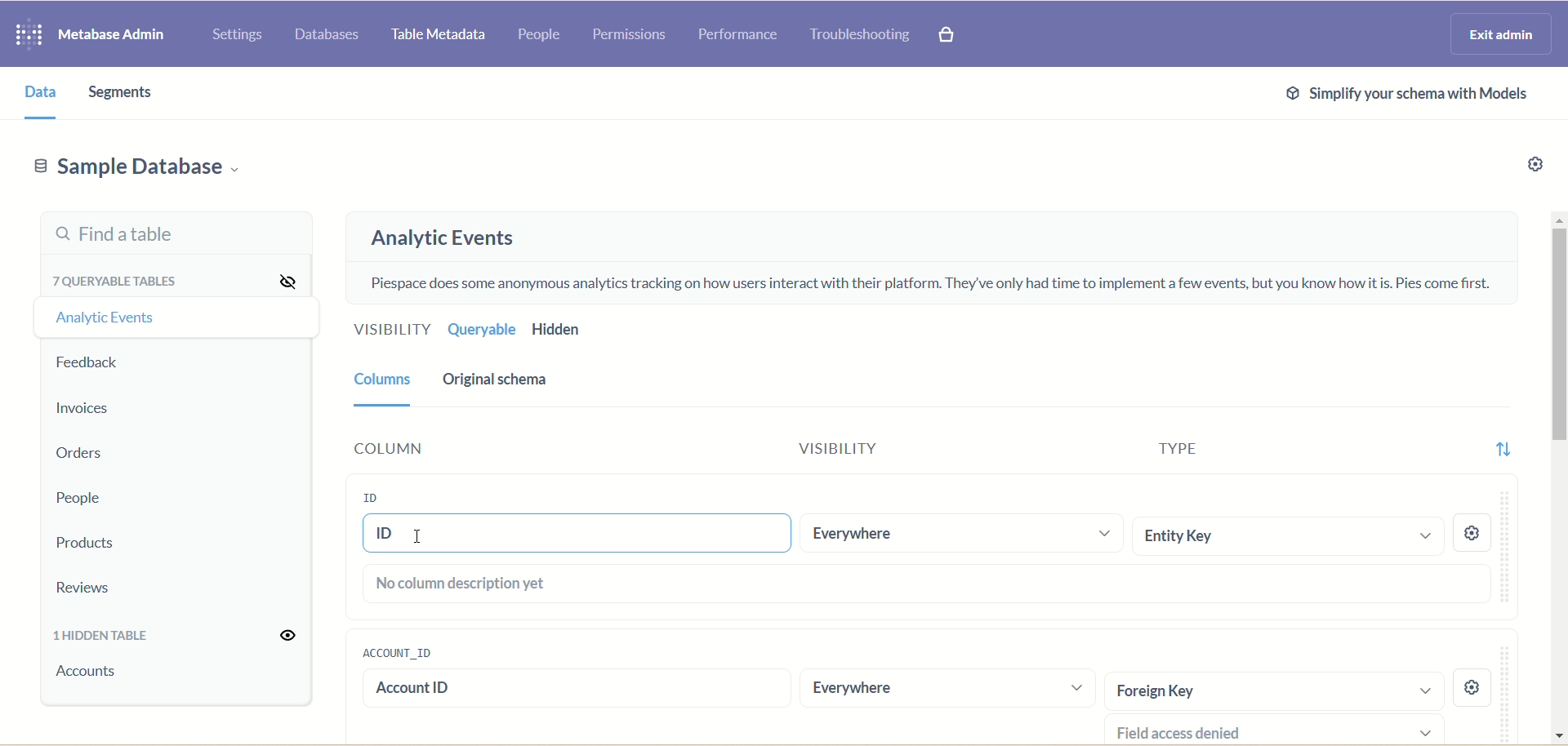 The image size is (1568, 746). What do you see at coordinates (959, 535) in the screenshot?
I see `Everywhere` at bounding box center [959, 535].